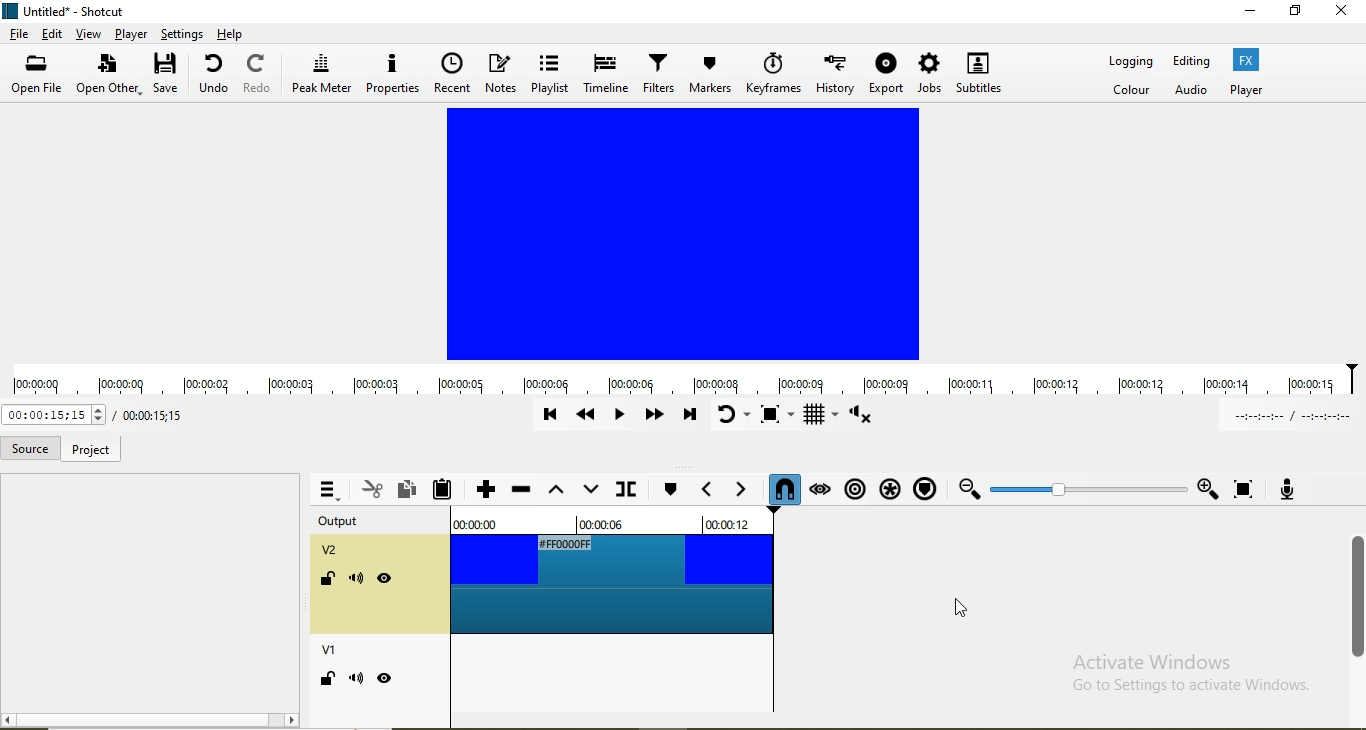  What do you see at coordinates (1182, 674) in the screenshot?
I see `Activate Windows
Go to Settings to activate Windows.` at bounding box center [1182, 674].